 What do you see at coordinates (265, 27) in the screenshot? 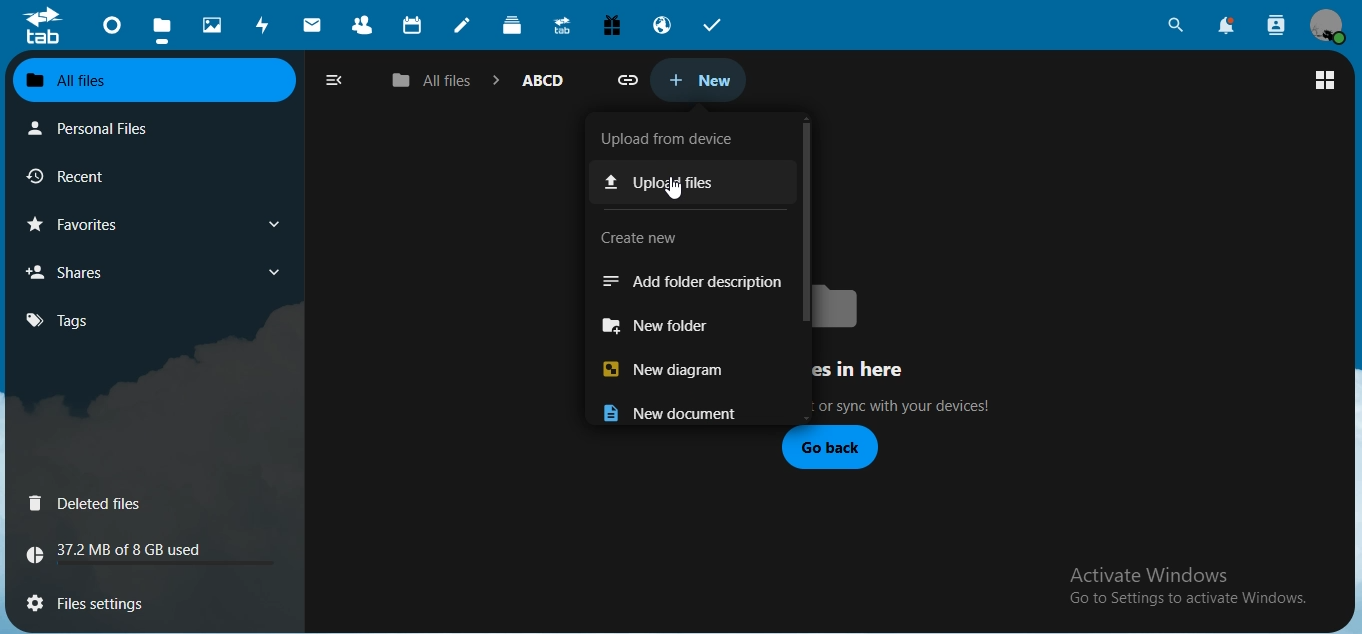
I see `activity` at bounding box center [265, 27].